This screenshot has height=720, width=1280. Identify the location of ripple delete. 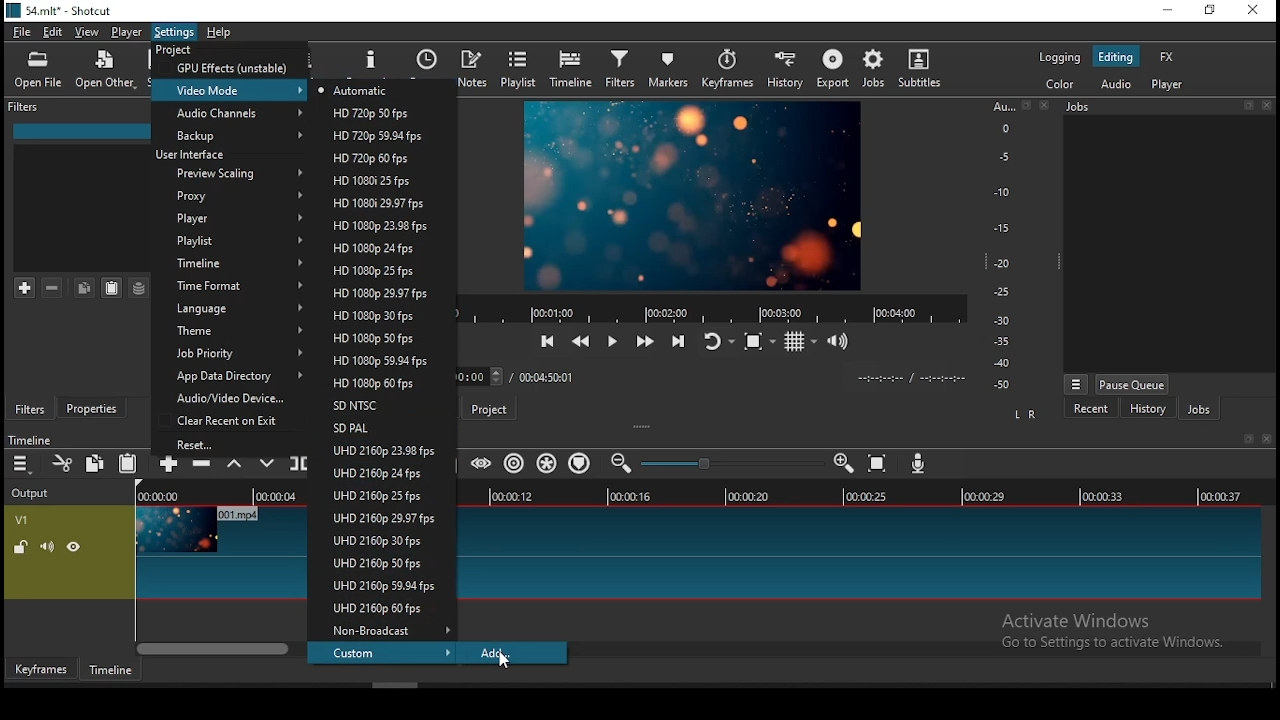
(201, 466).